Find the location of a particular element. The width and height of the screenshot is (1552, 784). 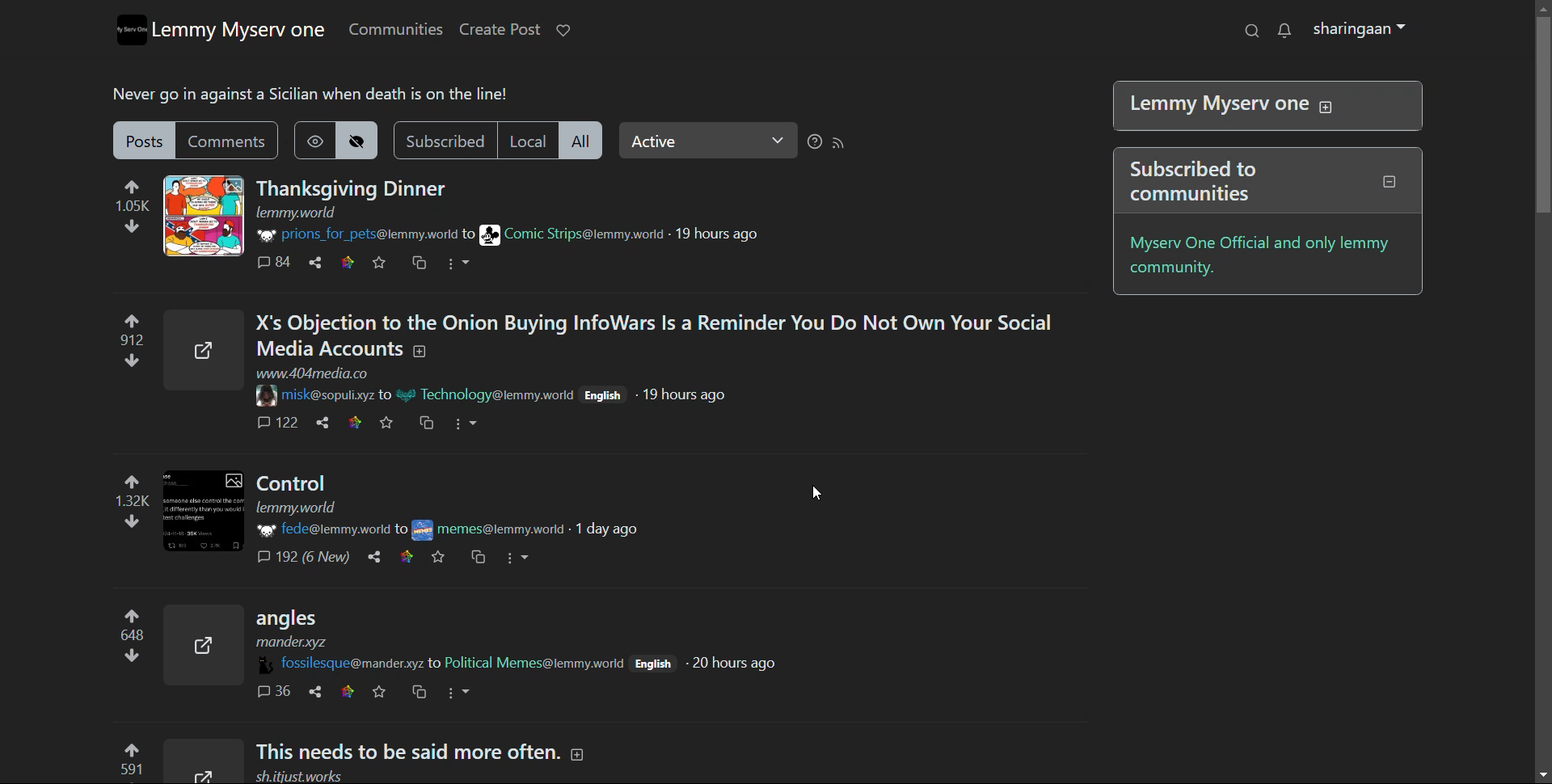

subscribed is located at coordinates (443, 141).